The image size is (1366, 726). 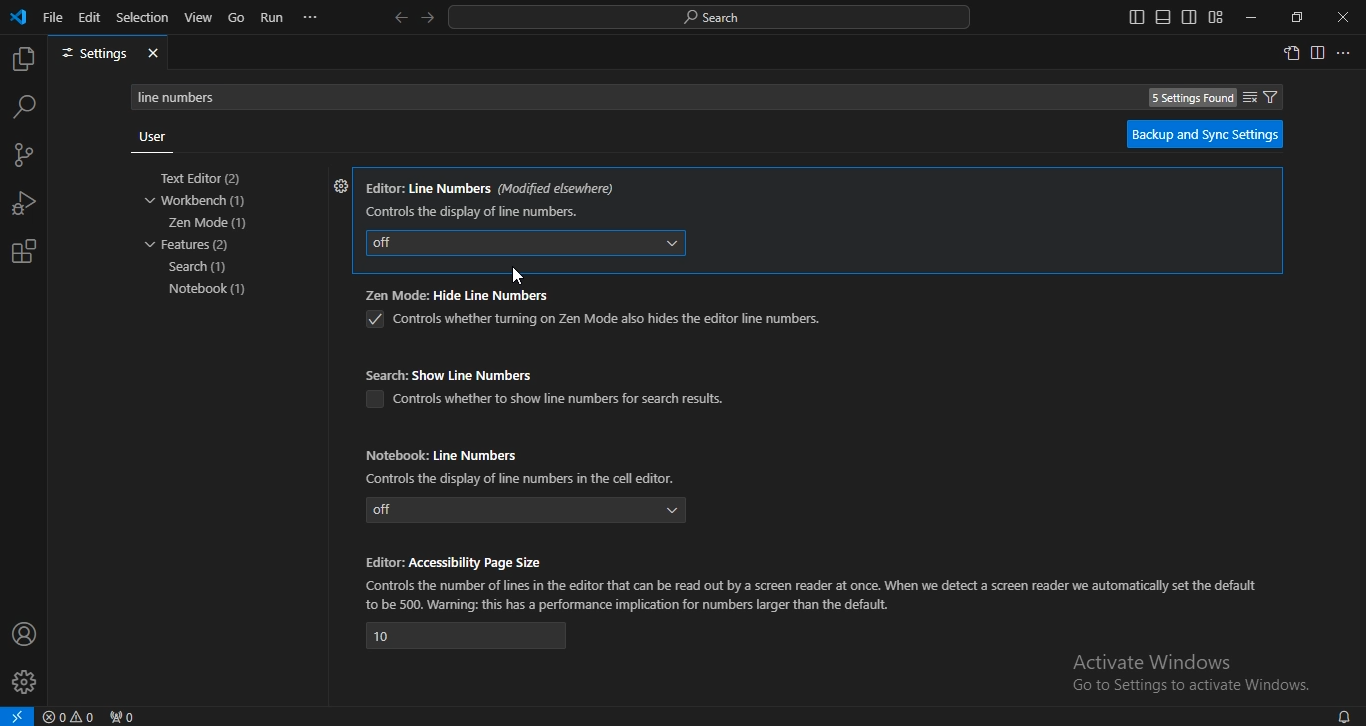 I want to click on customize layout, so click(x=1215, y=17).